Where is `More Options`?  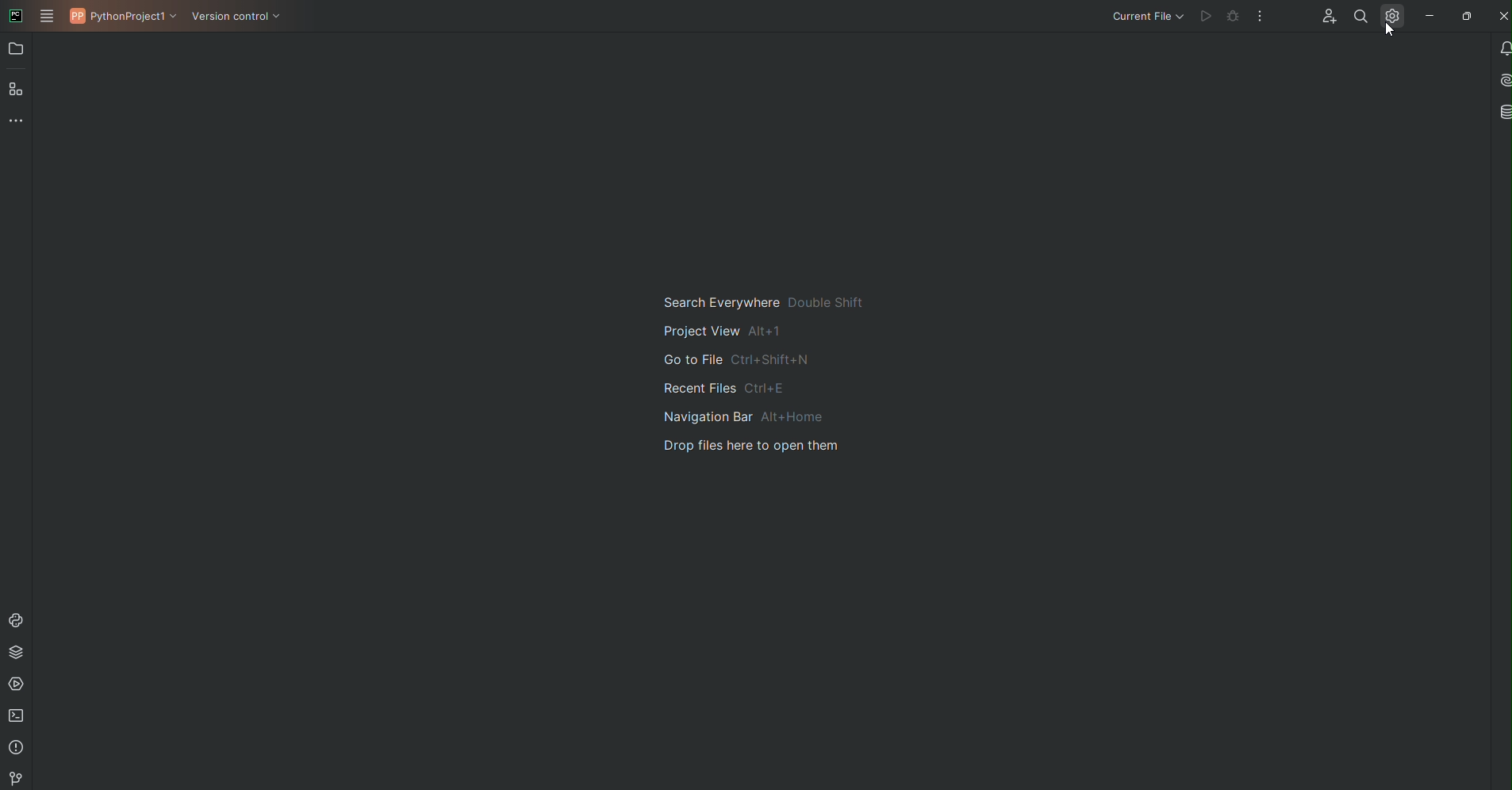 More Options is located at coordinates (1258, 18).